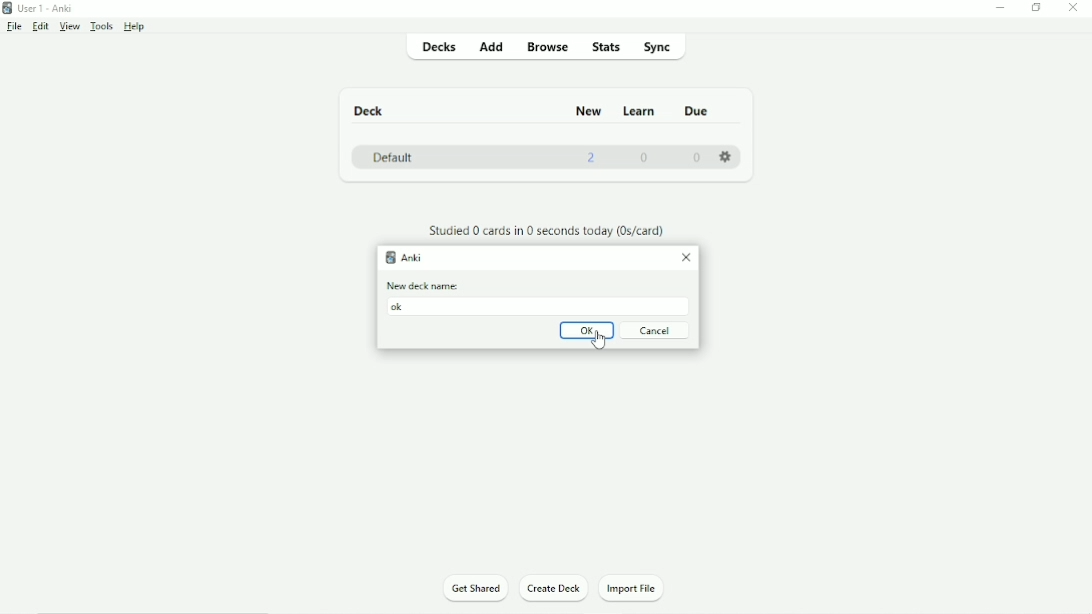 This screenshot has height=614, width=1092. What do you see at coordinates (608, 46) in the screenshot?
I see `Stats` at bounding box center [608, 46].